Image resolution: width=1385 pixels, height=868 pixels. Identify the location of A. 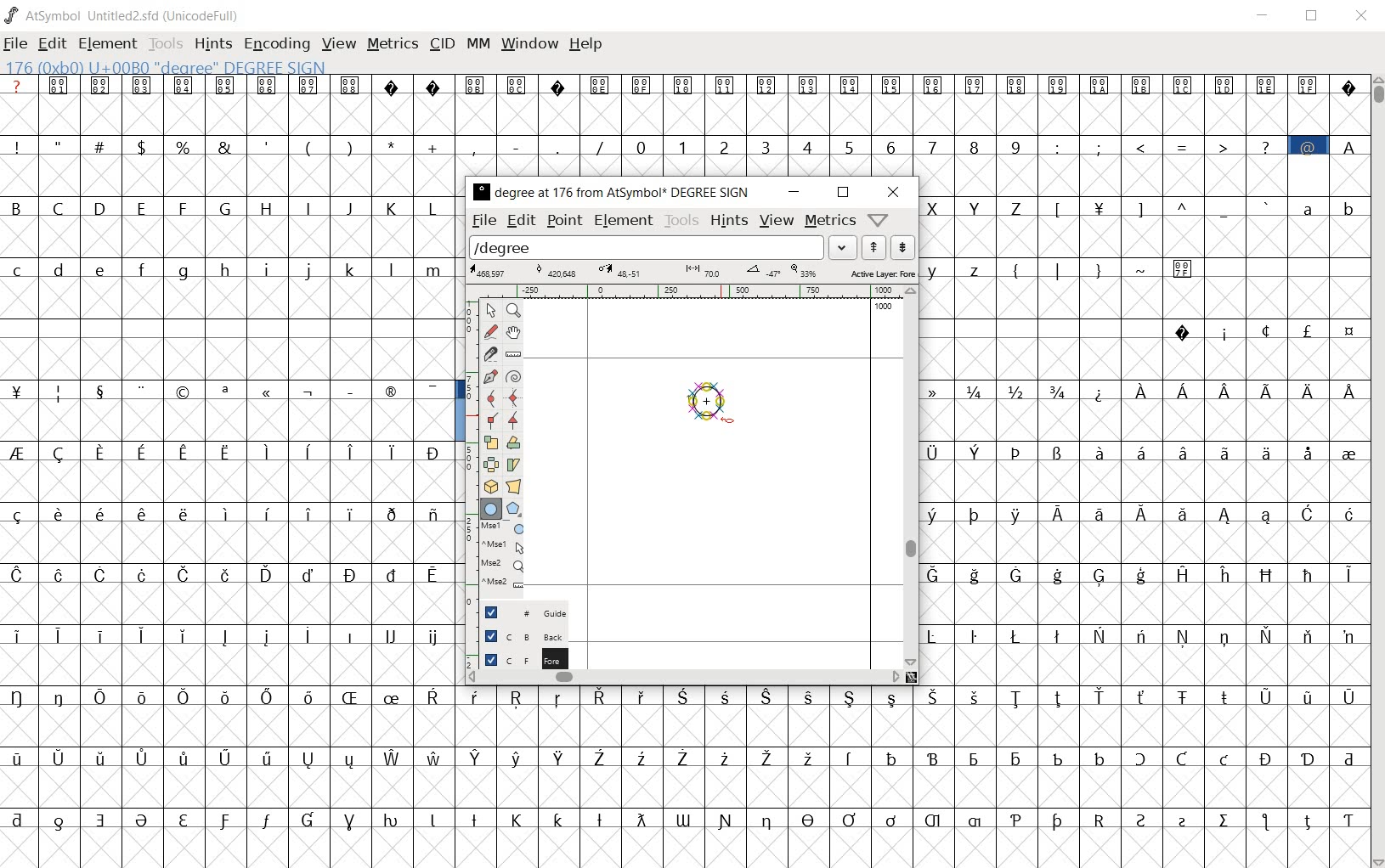
(1348, 144).